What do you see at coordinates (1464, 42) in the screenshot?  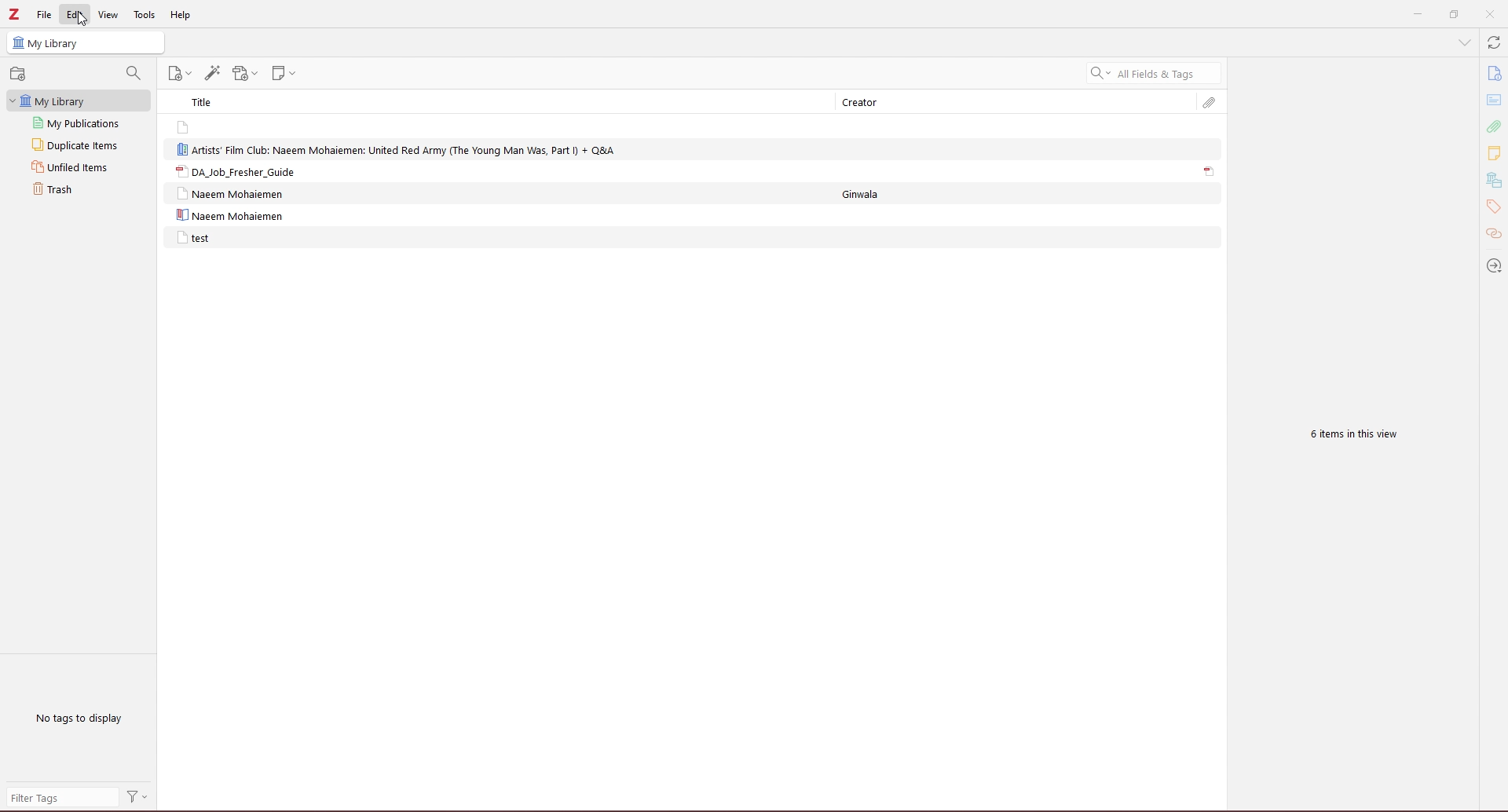 I see `list all items` at bounding box center [1464, 42].